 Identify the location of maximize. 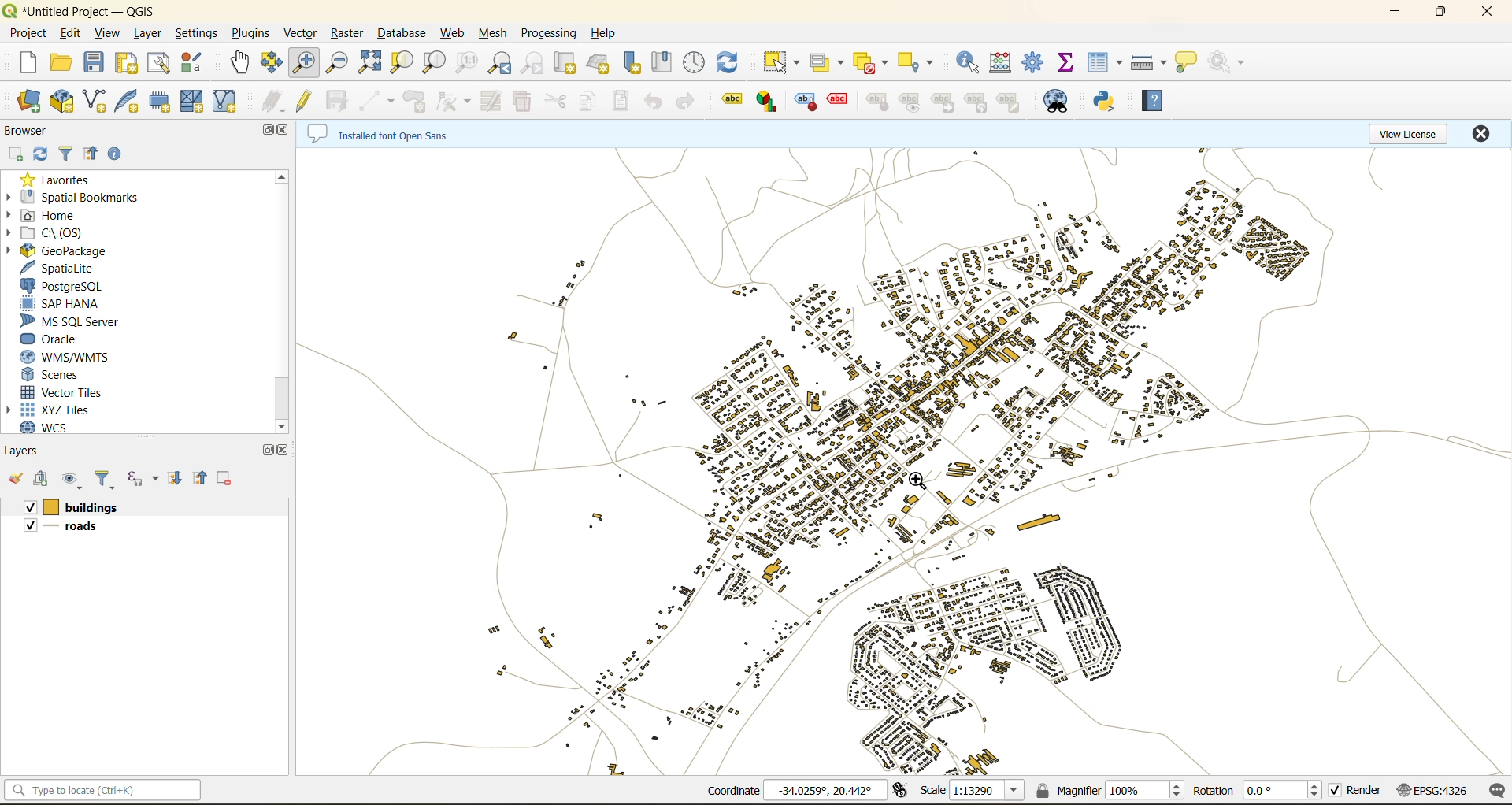
(1443, 11).